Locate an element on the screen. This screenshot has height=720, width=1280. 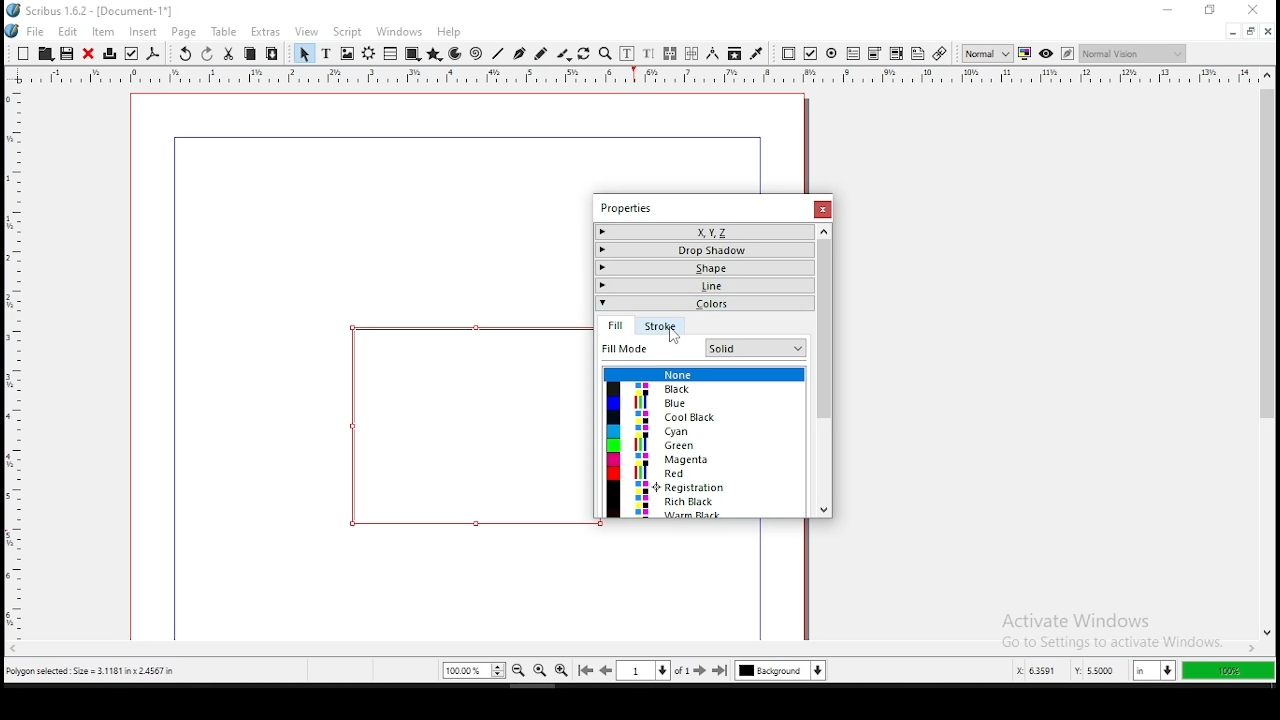
text annotation is located at coordinates (918, 53).